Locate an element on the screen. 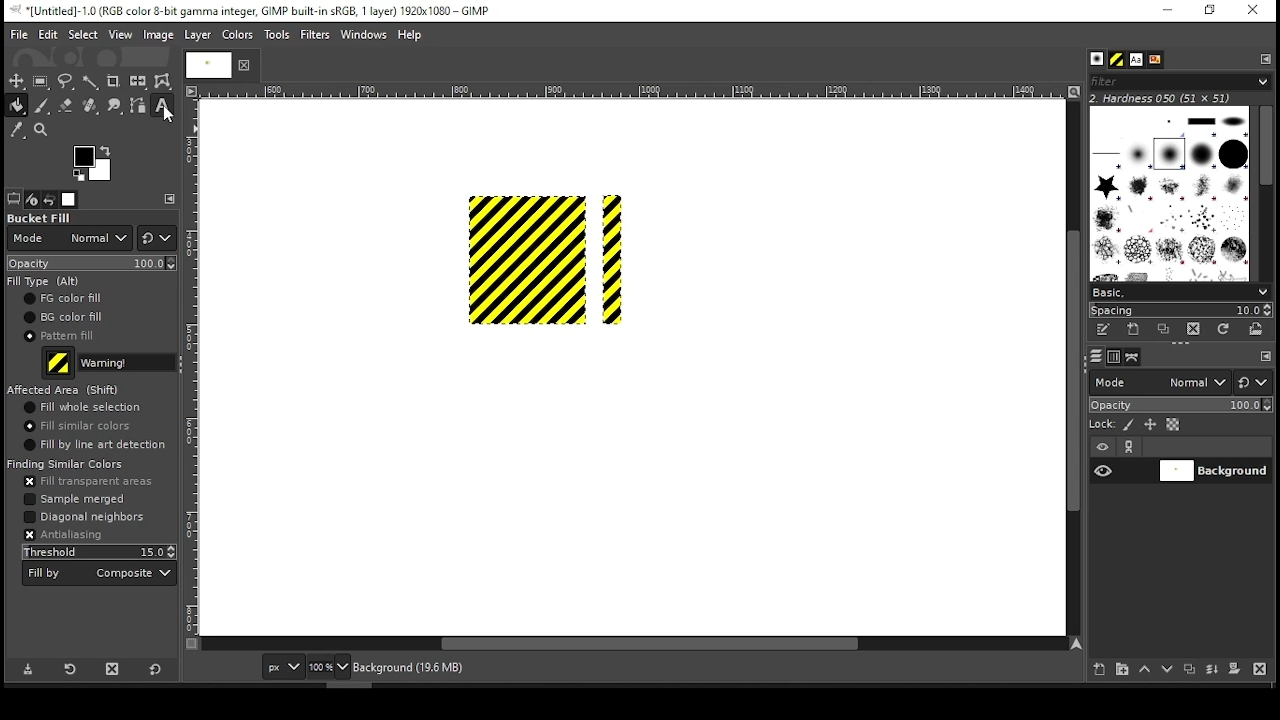 The height and width of the screenshot is (720, 1280). fill whole selection is located at coordinates (84, 408).